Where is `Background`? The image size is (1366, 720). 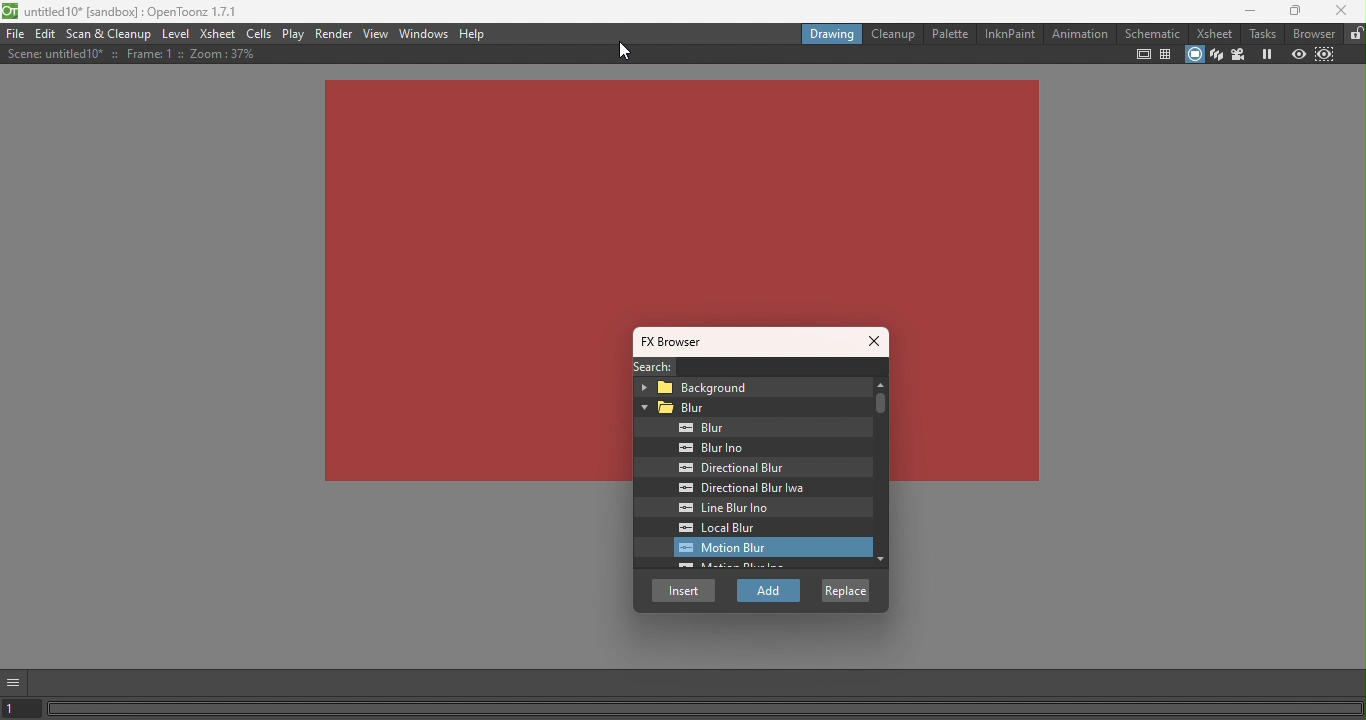
Background is located at coordinates (748, 386).